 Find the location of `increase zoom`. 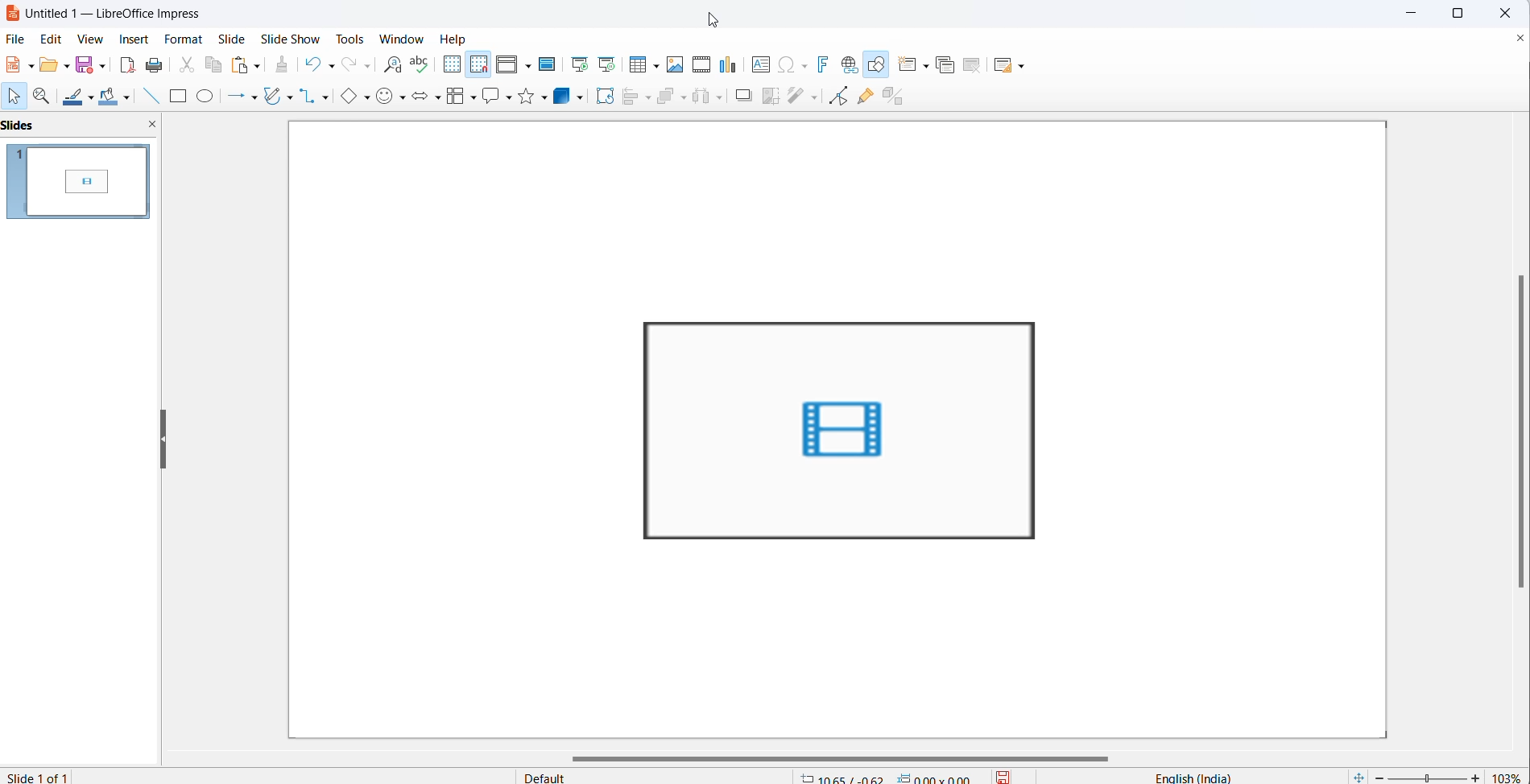

increase zoom is located at coordinates (1475, 776).